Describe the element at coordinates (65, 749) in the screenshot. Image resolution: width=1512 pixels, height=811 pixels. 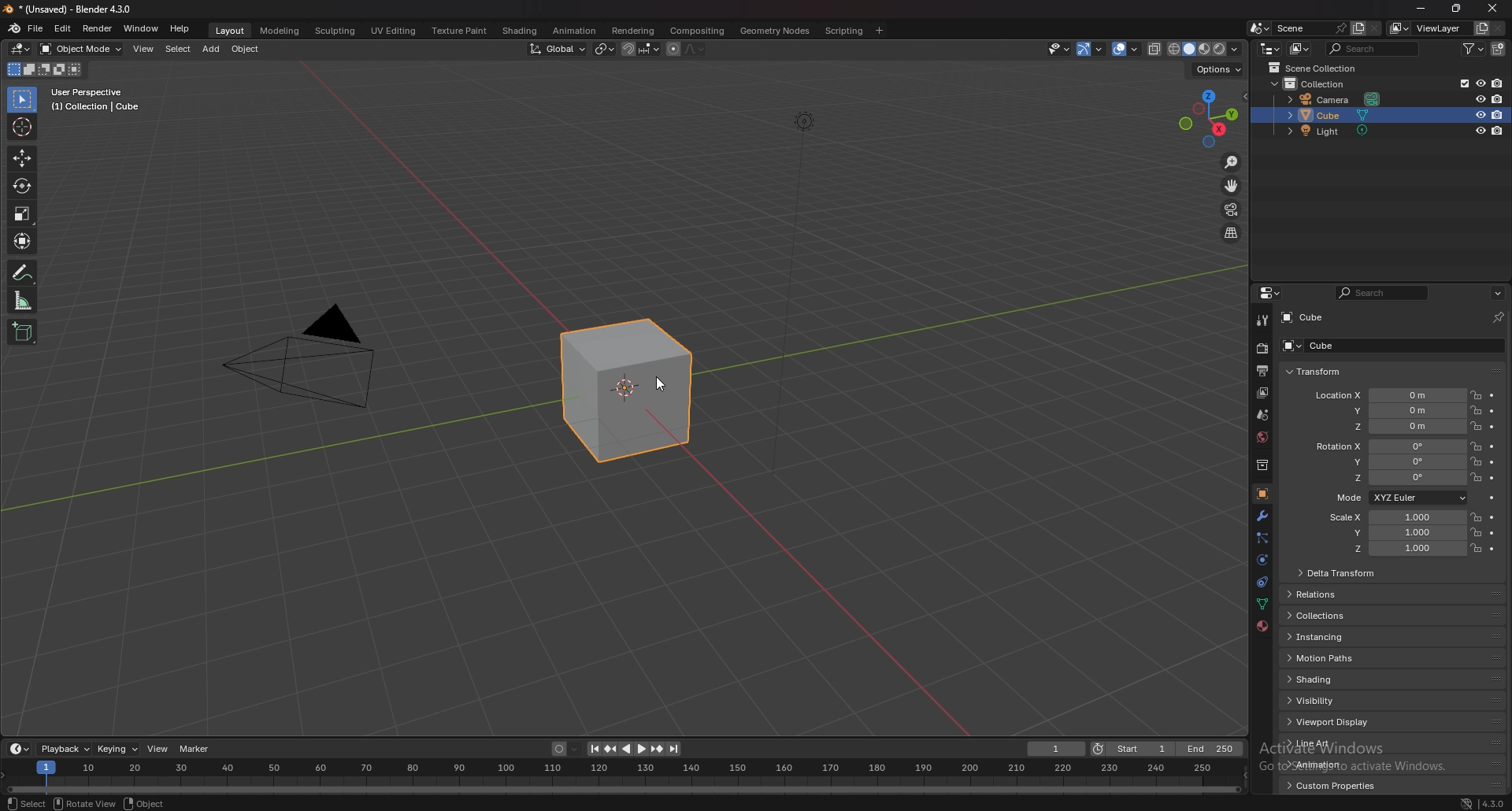
I see `playback` at that location.